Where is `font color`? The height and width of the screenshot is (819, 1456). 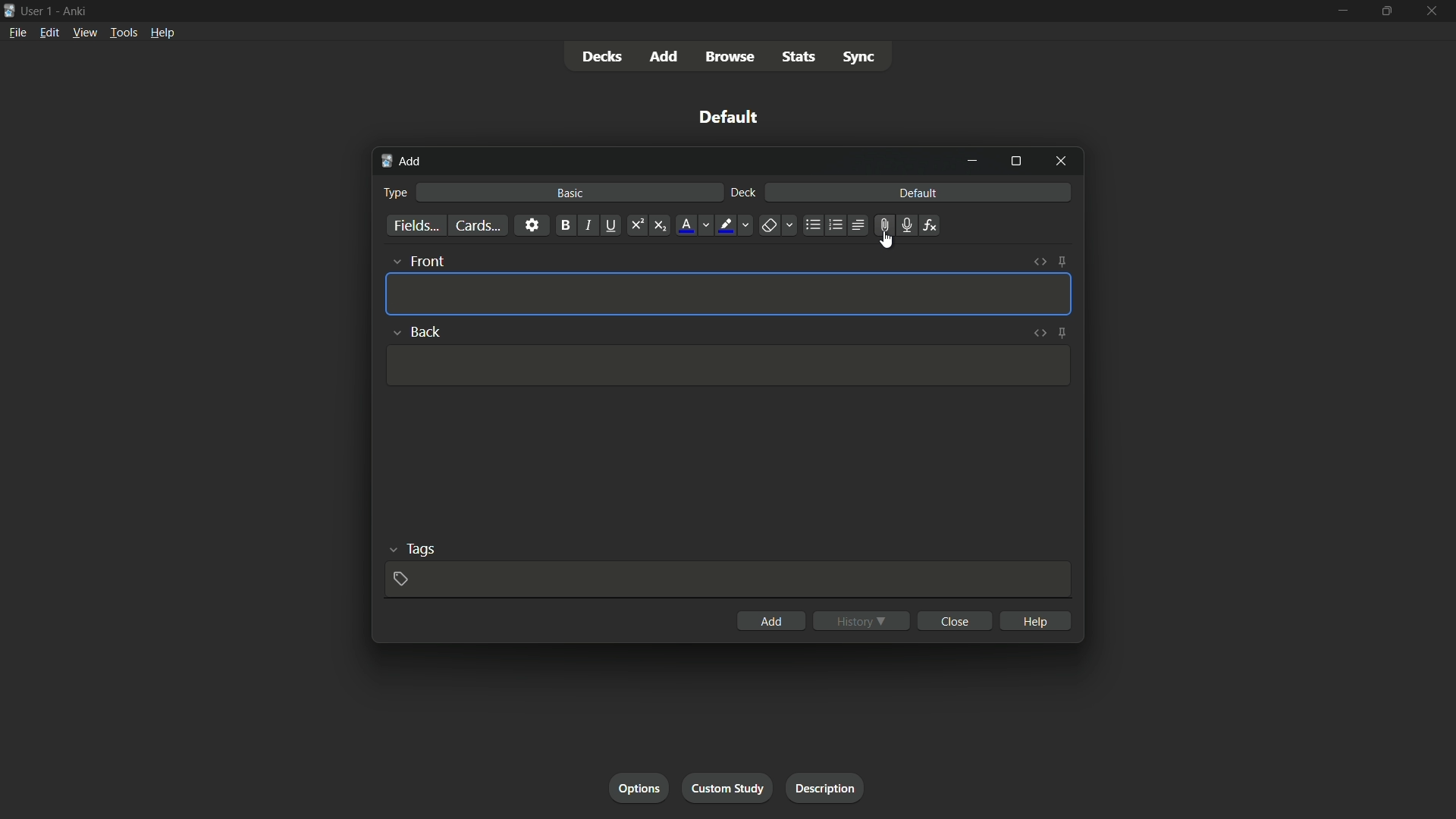
font color is located at coordinates (695, 225).